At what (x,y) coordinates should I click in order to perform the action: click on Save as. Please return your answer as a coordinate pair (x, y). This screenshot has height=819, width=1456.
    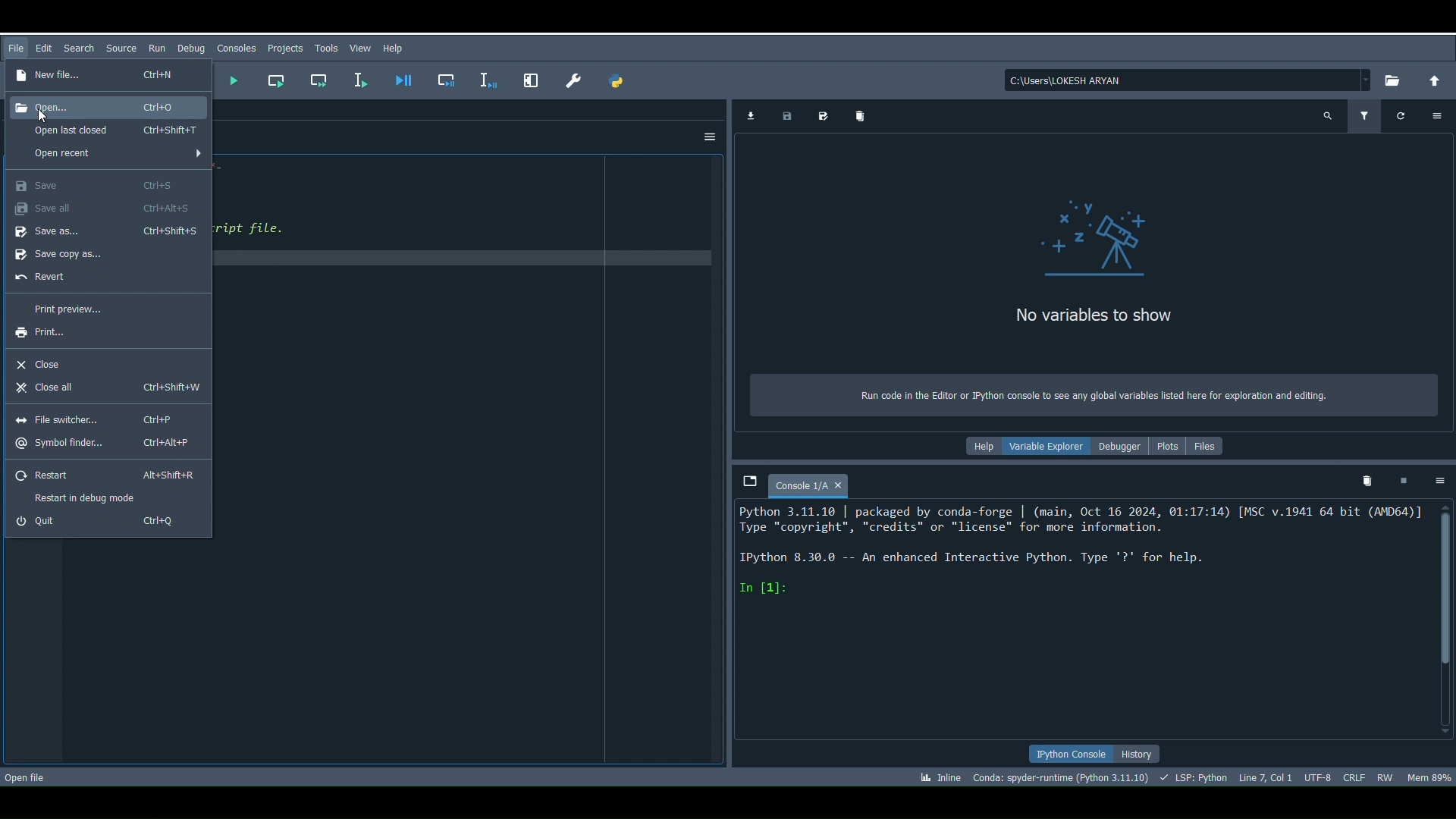
    Looking at the image, I should click on (106, 231).